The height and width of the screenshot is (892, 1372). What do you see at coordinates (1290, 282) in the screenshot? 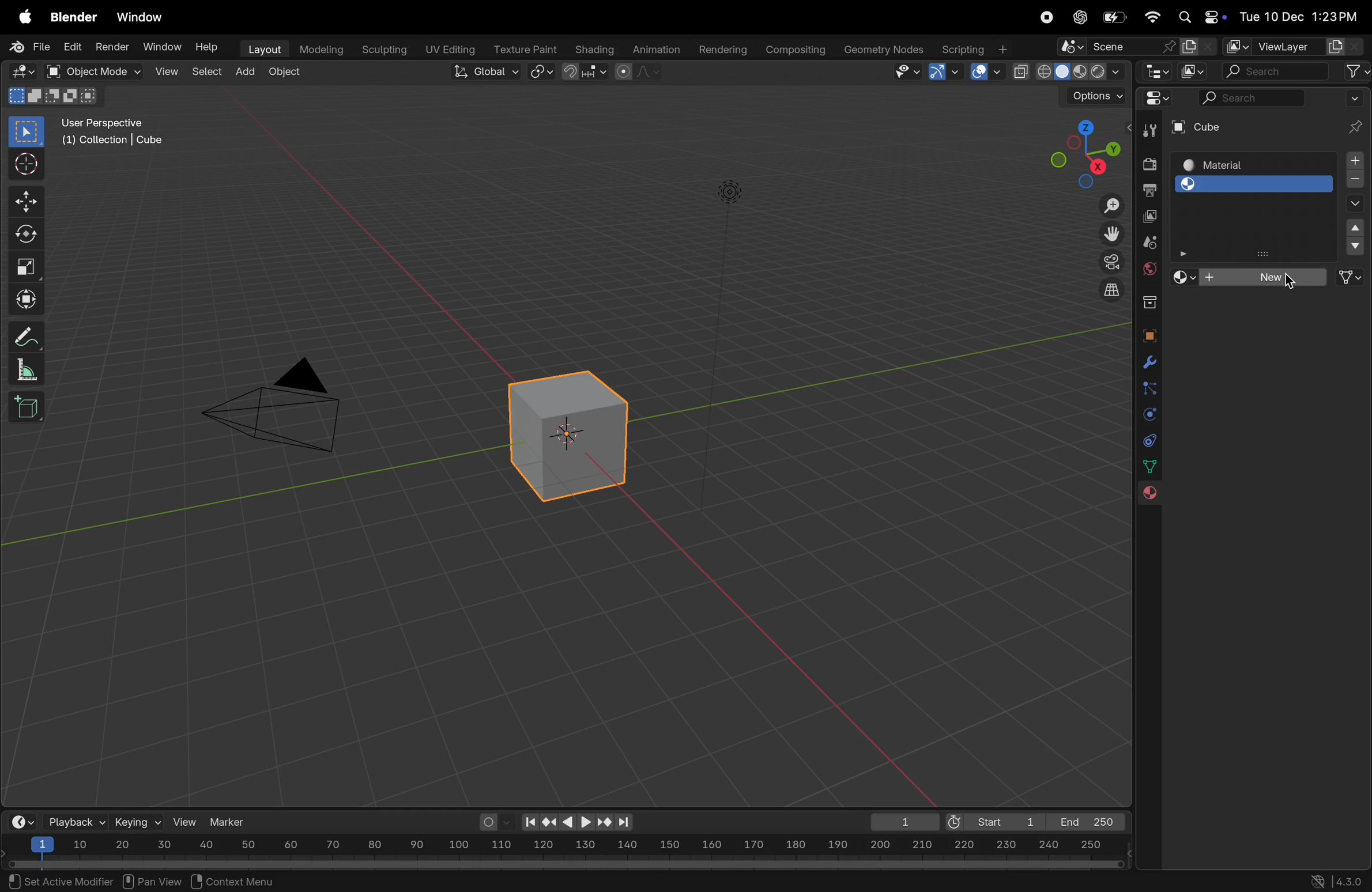
I see `cursor` at bounding box center [1290, 282].